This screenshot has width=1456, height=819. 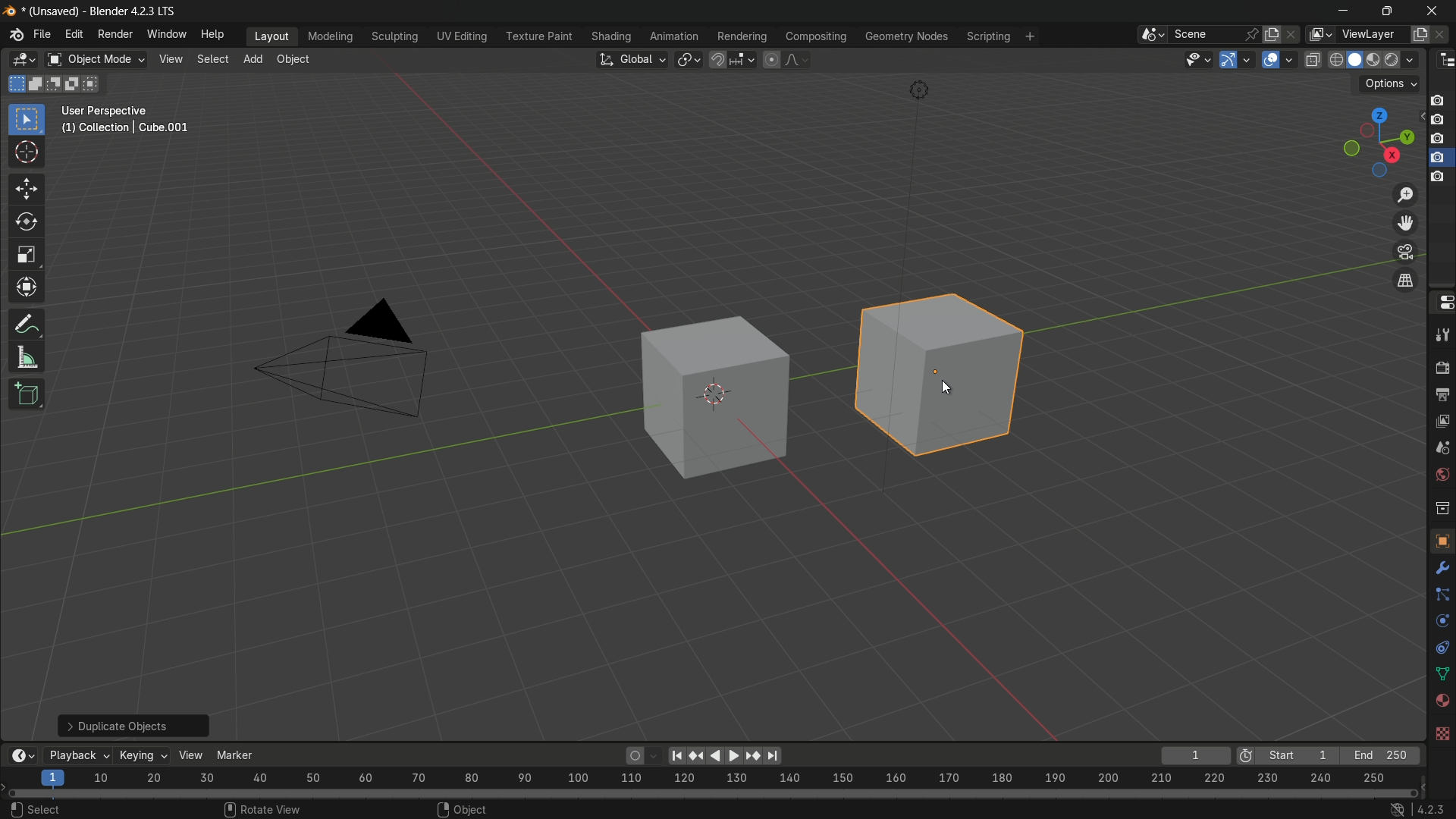 What do you see at coordinates (143, 755) in the screenshot?
I see `keying` at bounding box center [143, 755].